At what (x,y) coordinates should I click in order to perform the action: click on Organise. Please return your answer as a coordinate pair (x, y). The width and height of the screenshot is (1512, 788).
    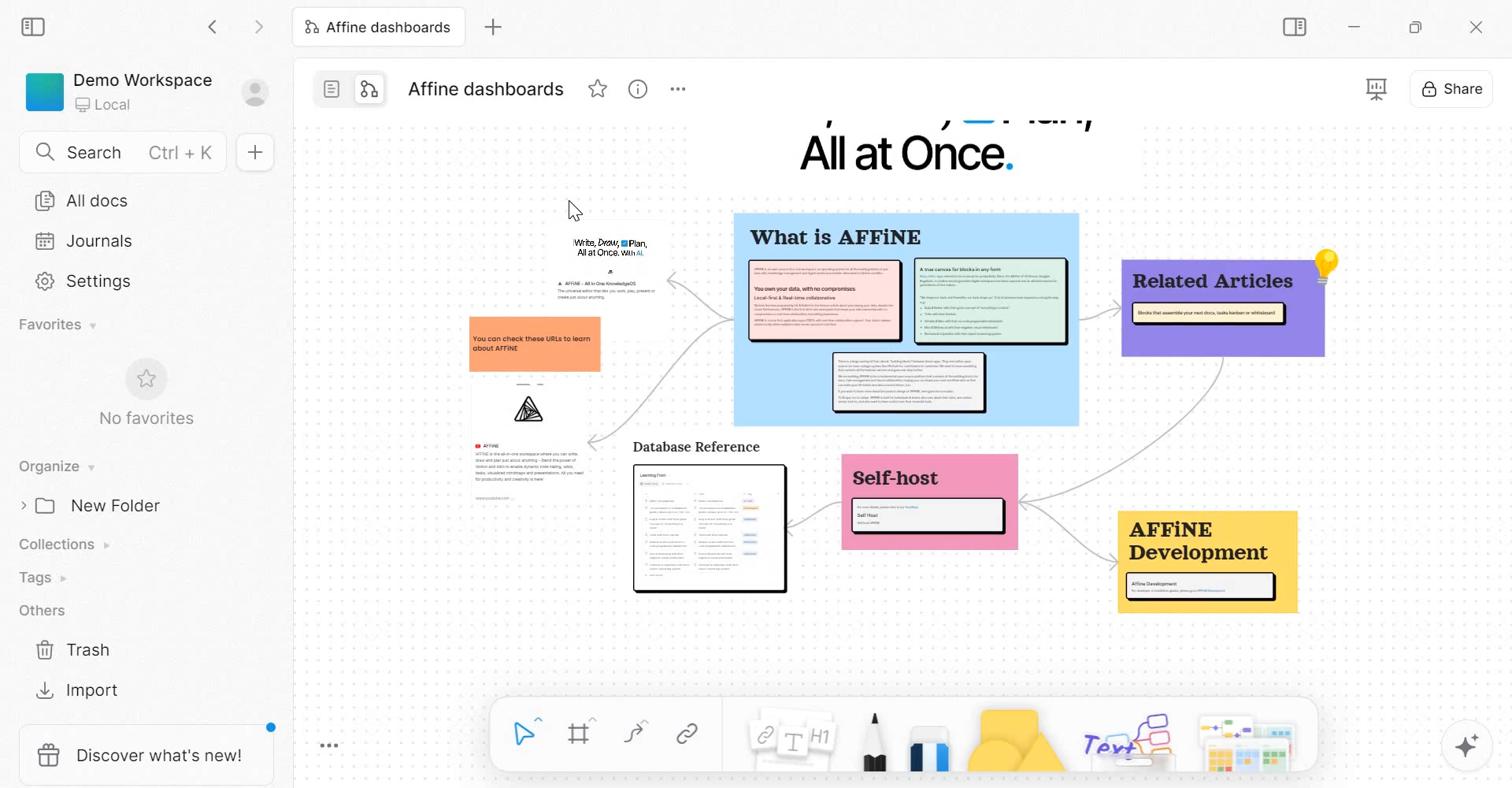
    Looking at the image, I should click on (54, 466).